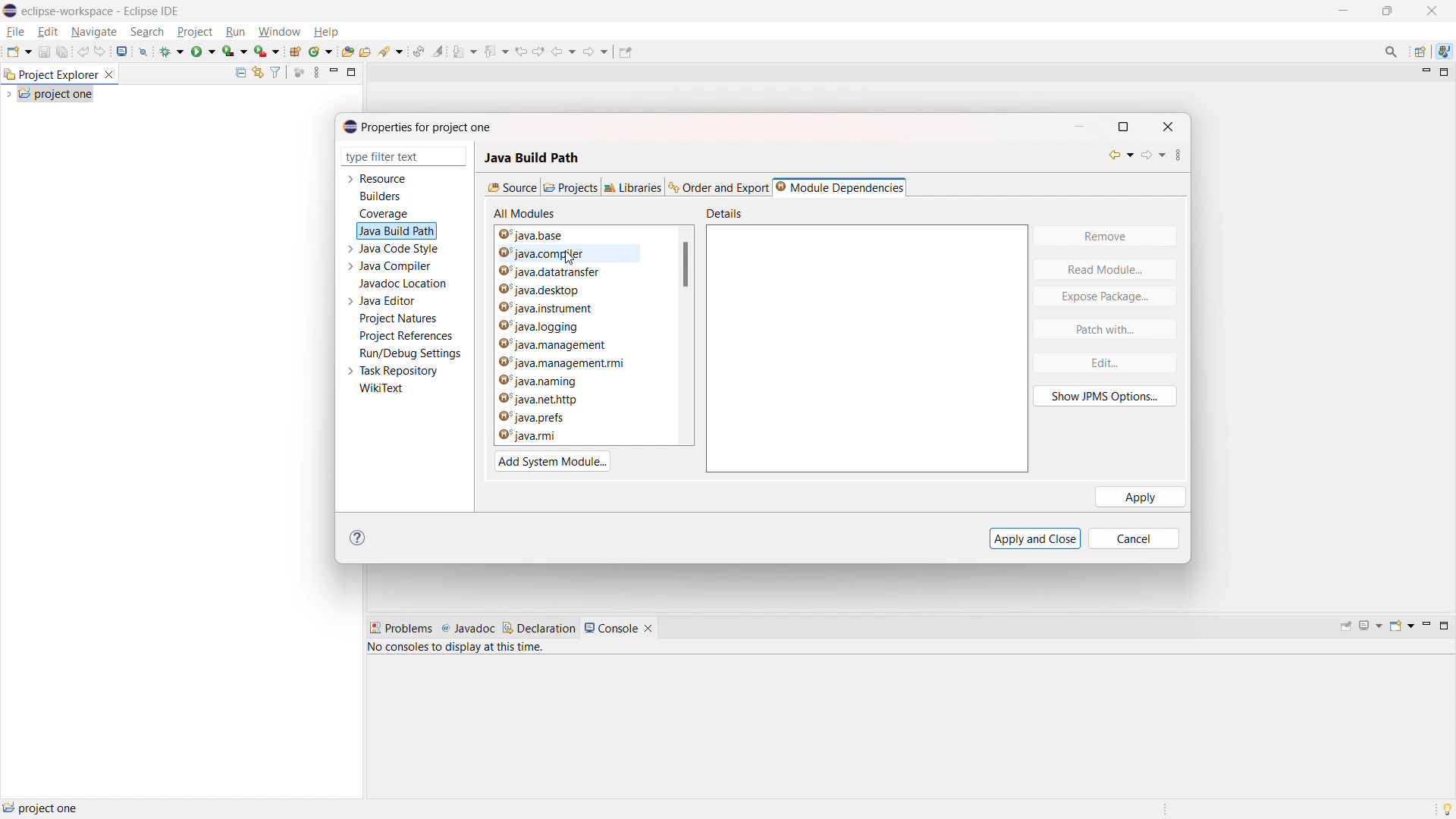  Describe the element at coordinates (1401, 626) in the screenshot. I see `open console` at that location.